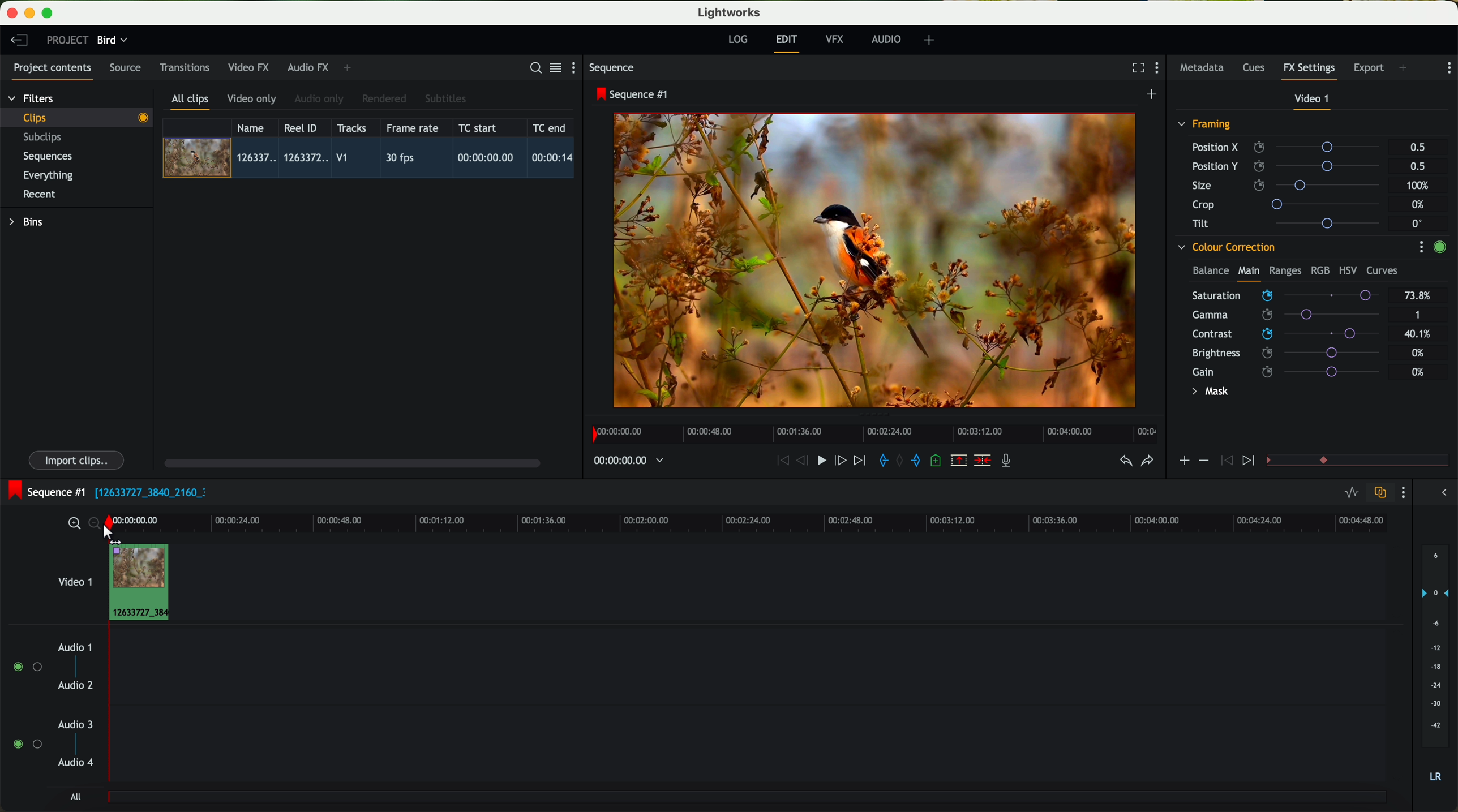 The image size is (1458, 812). What do you see at coordinates (12, 13) in the screenshot?
I see `close program` at bounding box center [12, 13].